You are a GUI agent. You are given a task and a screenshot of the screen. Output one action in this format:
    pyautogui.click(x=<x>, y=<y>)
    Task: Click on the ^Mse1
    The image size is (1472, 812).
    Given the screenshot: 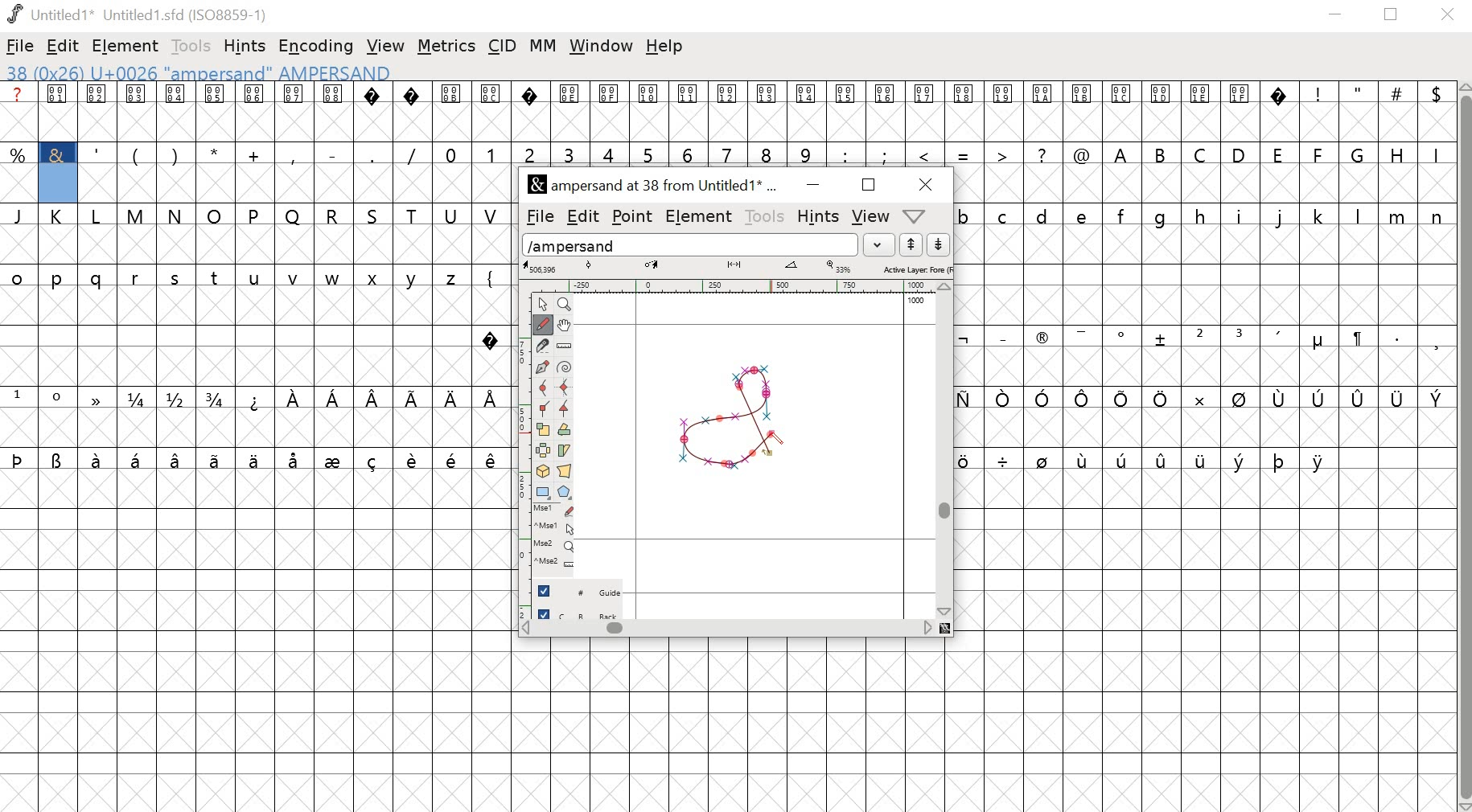 What is the action you would take?
    pyautogui.click(x=556, y=527)
    